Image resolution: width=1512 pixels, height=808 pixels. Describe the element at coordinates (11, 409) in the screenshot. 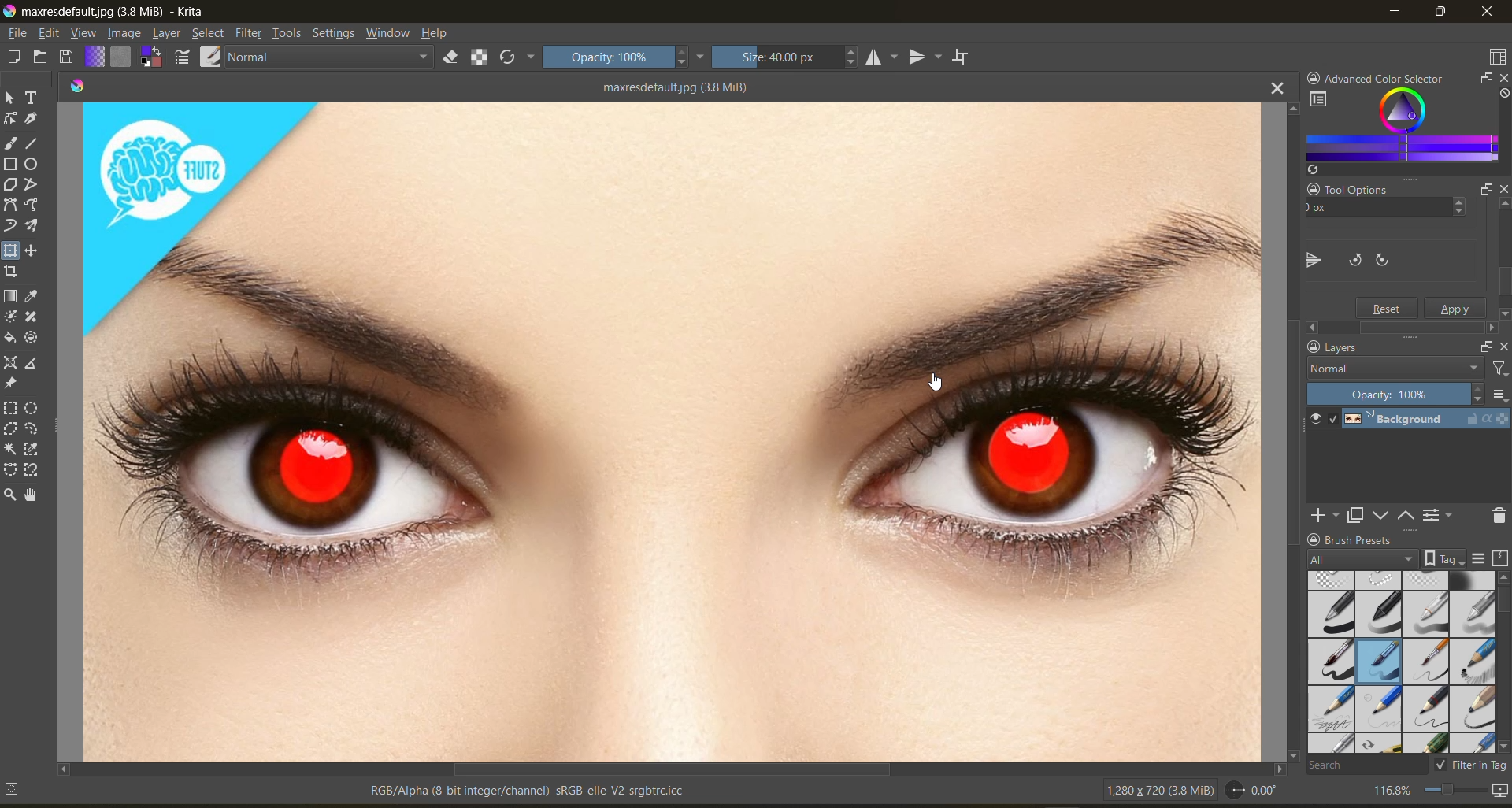

I see `tool` at that location.